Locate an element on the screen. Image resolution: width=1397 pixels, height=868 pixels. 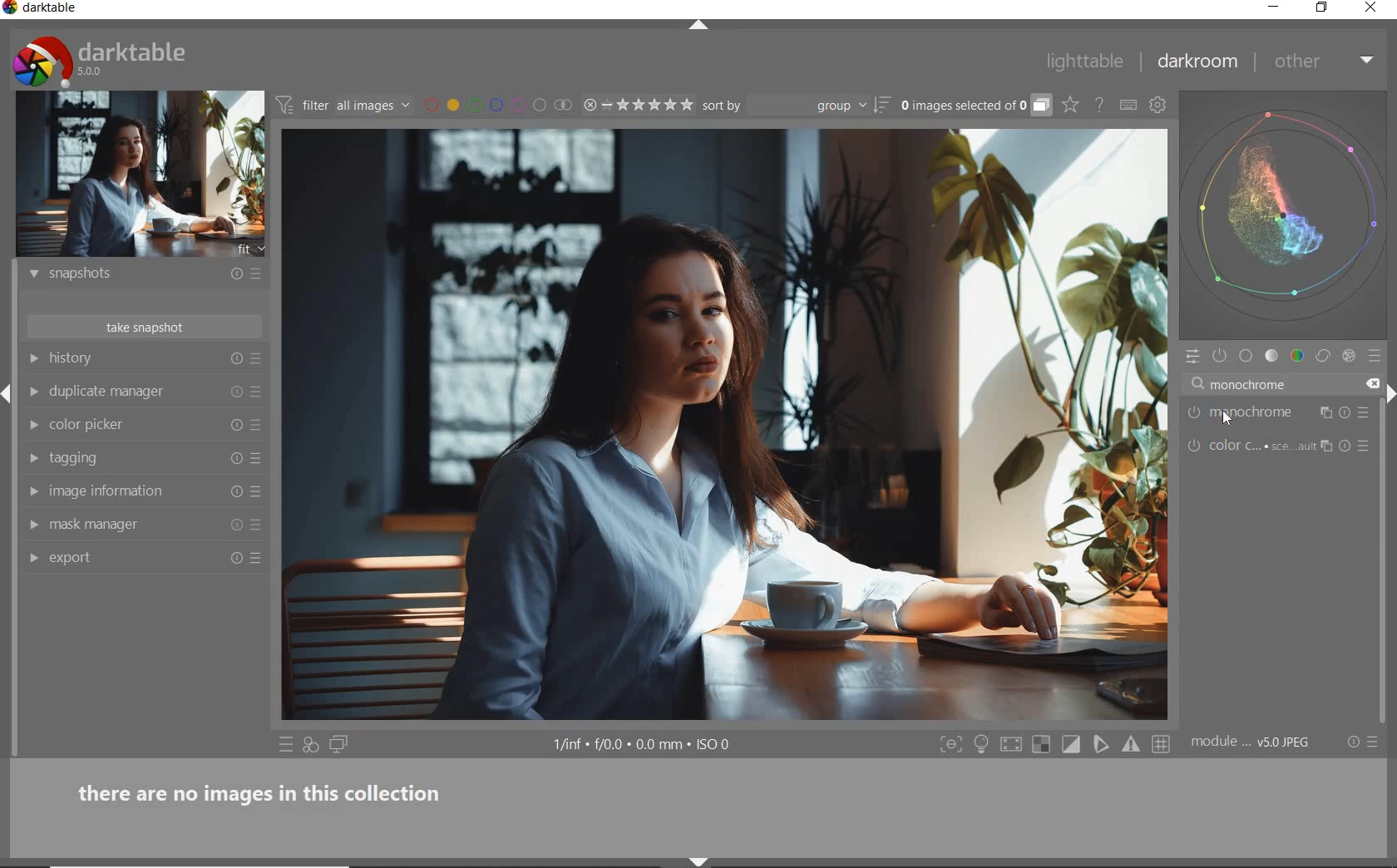
show module is located at coordinates (33, 560).